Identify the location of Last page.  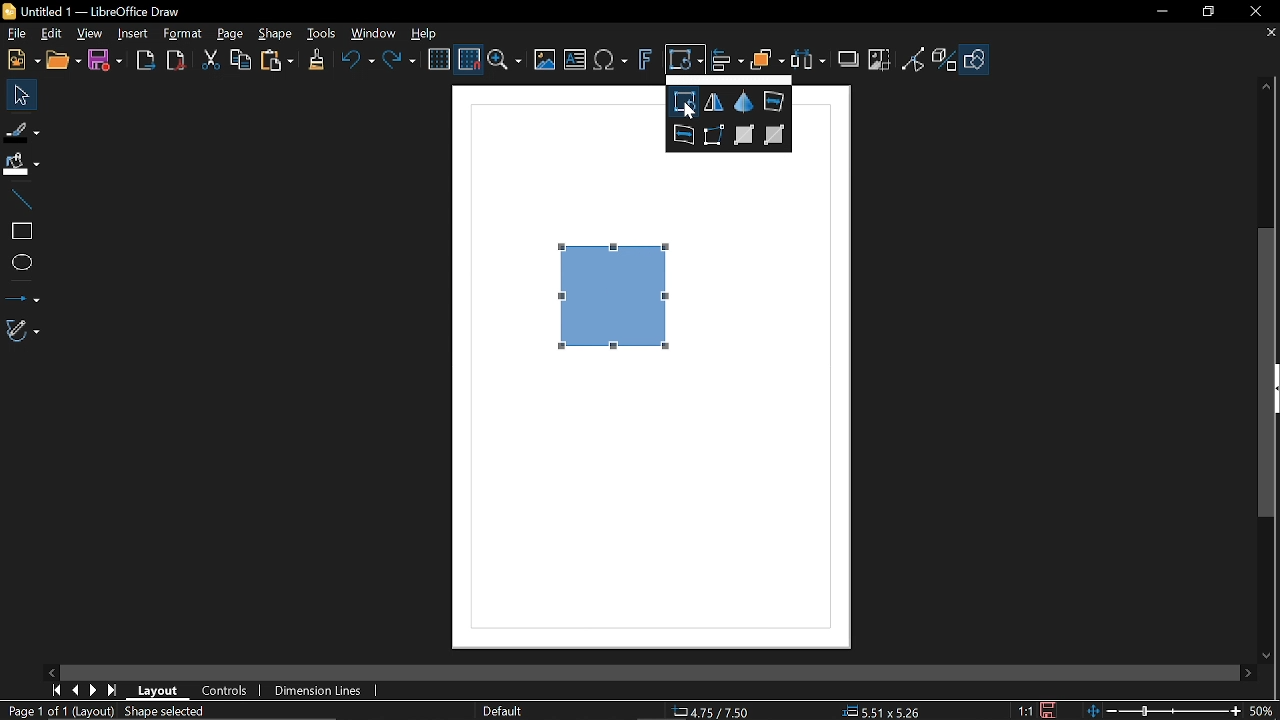
(112, 691).